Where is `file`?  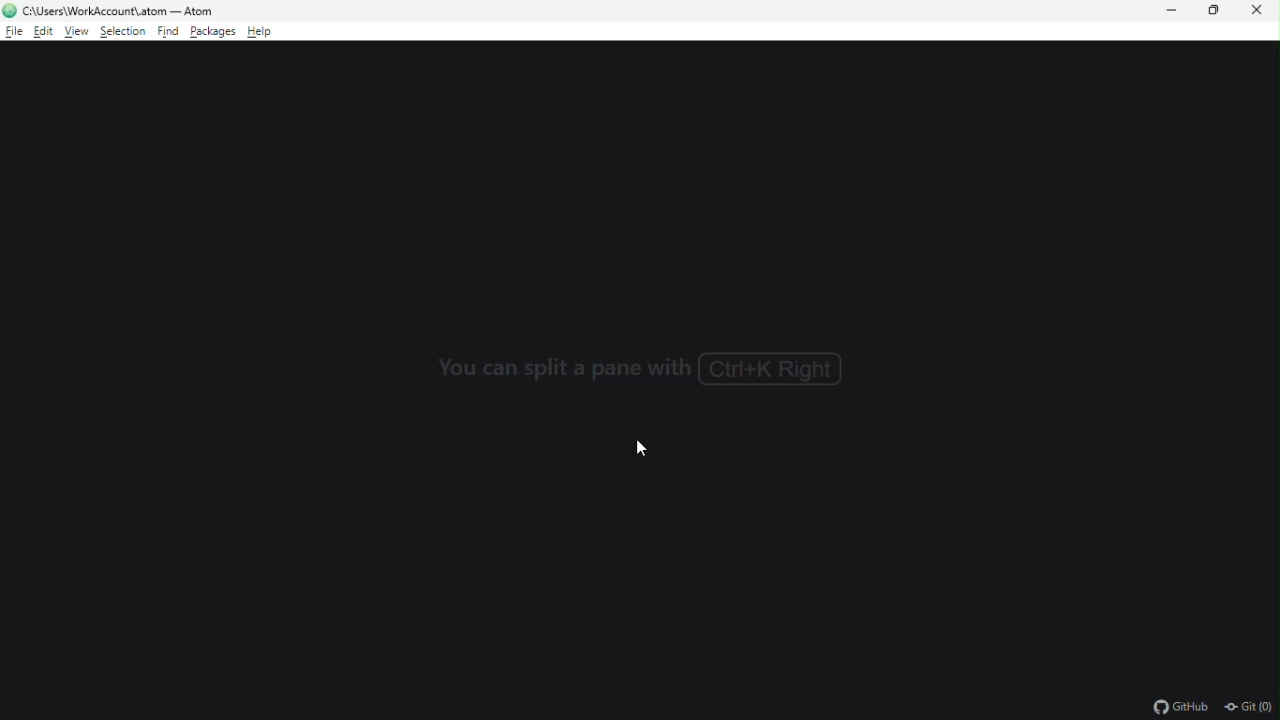
file is located at coordinates (14, 31).